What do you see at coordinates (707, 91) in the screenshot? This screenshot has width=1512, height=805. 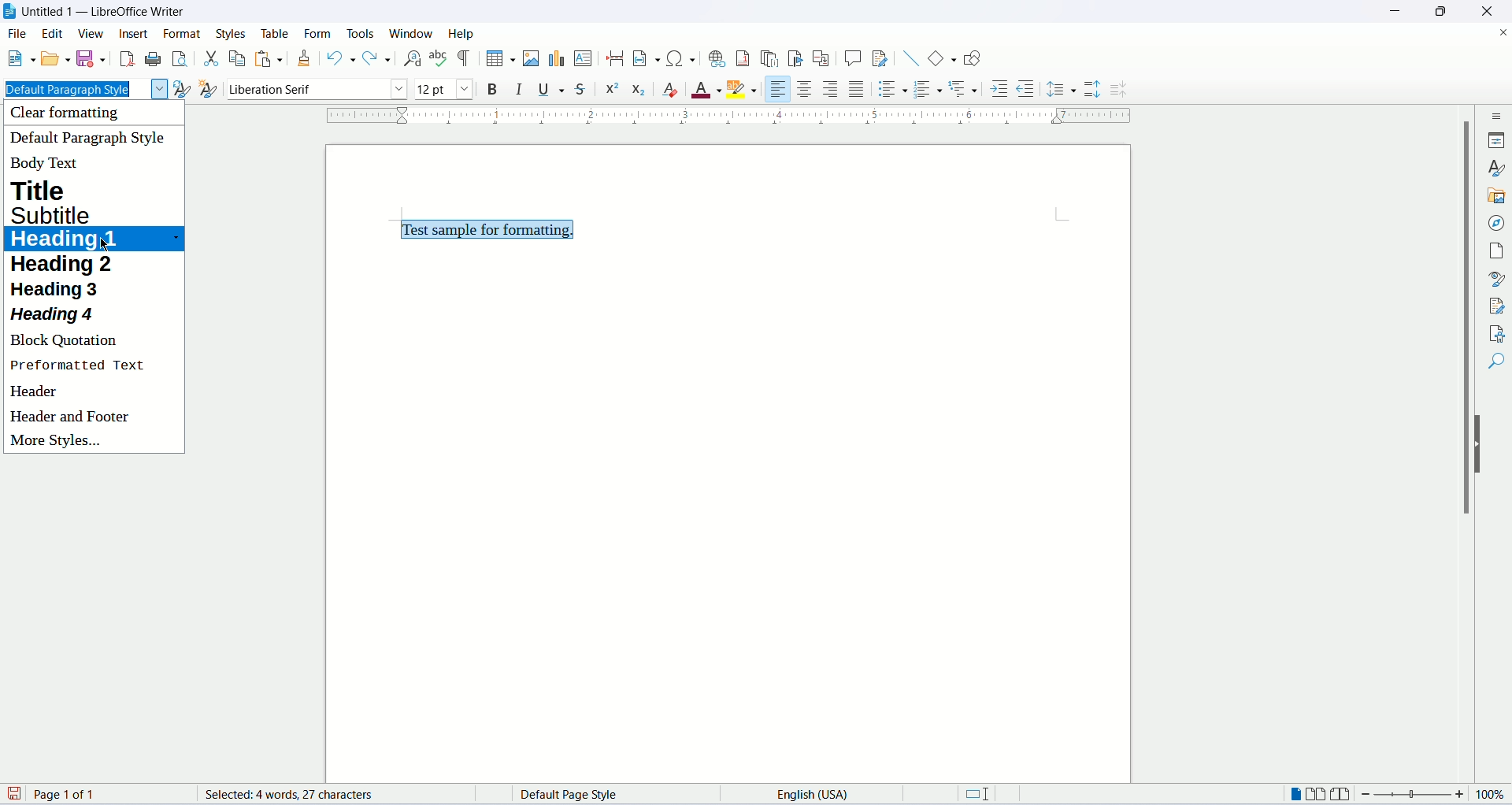 I see `font color` at bounding box center [707, 91].